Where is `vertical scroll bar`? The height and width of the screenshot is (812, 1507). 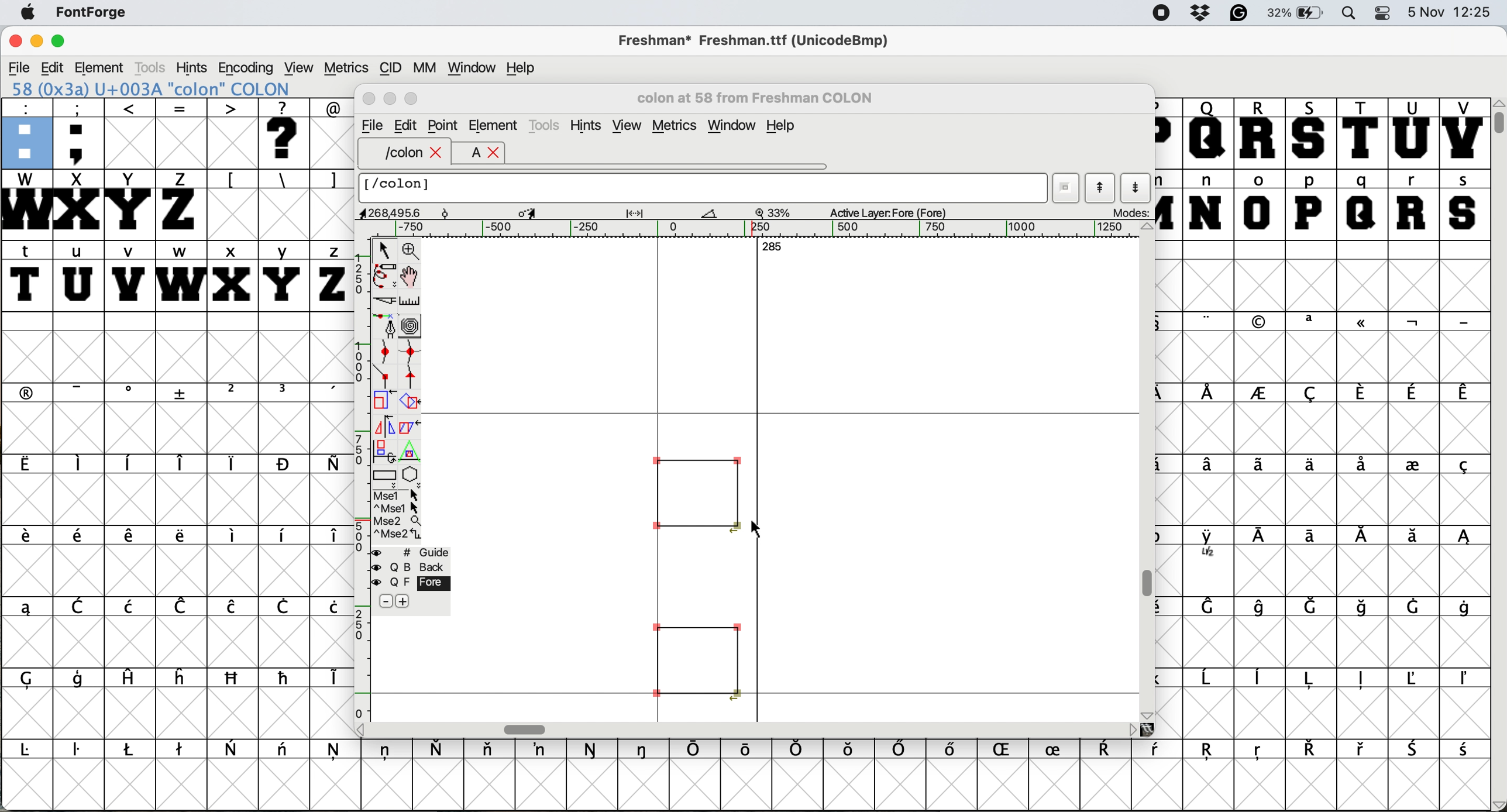 vertical scroll bar is located at coordinates (1148, 472).